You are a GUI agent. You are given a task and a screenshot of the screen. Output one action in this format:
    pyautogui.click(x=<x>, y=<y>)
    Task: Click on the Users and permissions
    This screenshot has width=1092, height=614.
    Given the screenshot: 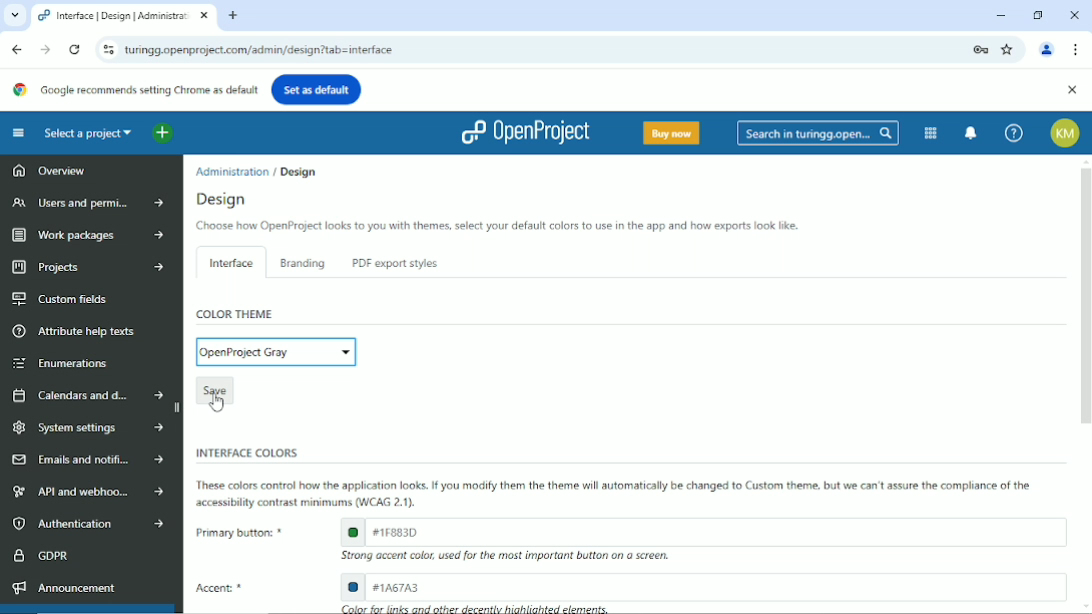 What is the action you would take?
    pyautogui.click(x=84, y=204)
    